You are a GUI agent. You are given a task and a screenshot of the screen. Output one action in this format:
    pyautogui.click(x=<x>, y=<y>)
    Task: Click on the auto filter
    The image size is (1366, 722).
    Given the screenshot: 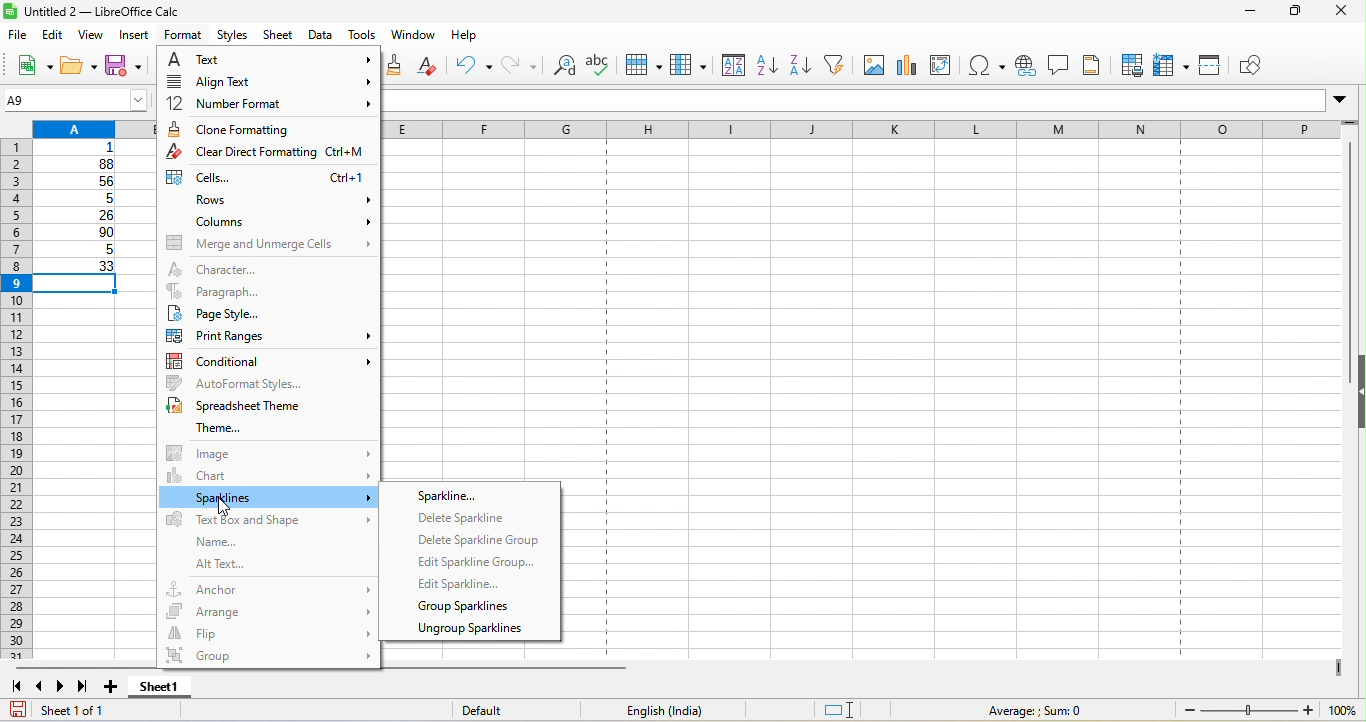 What is the action you would take?
    pyautogui.click(x=840, y=65)
    